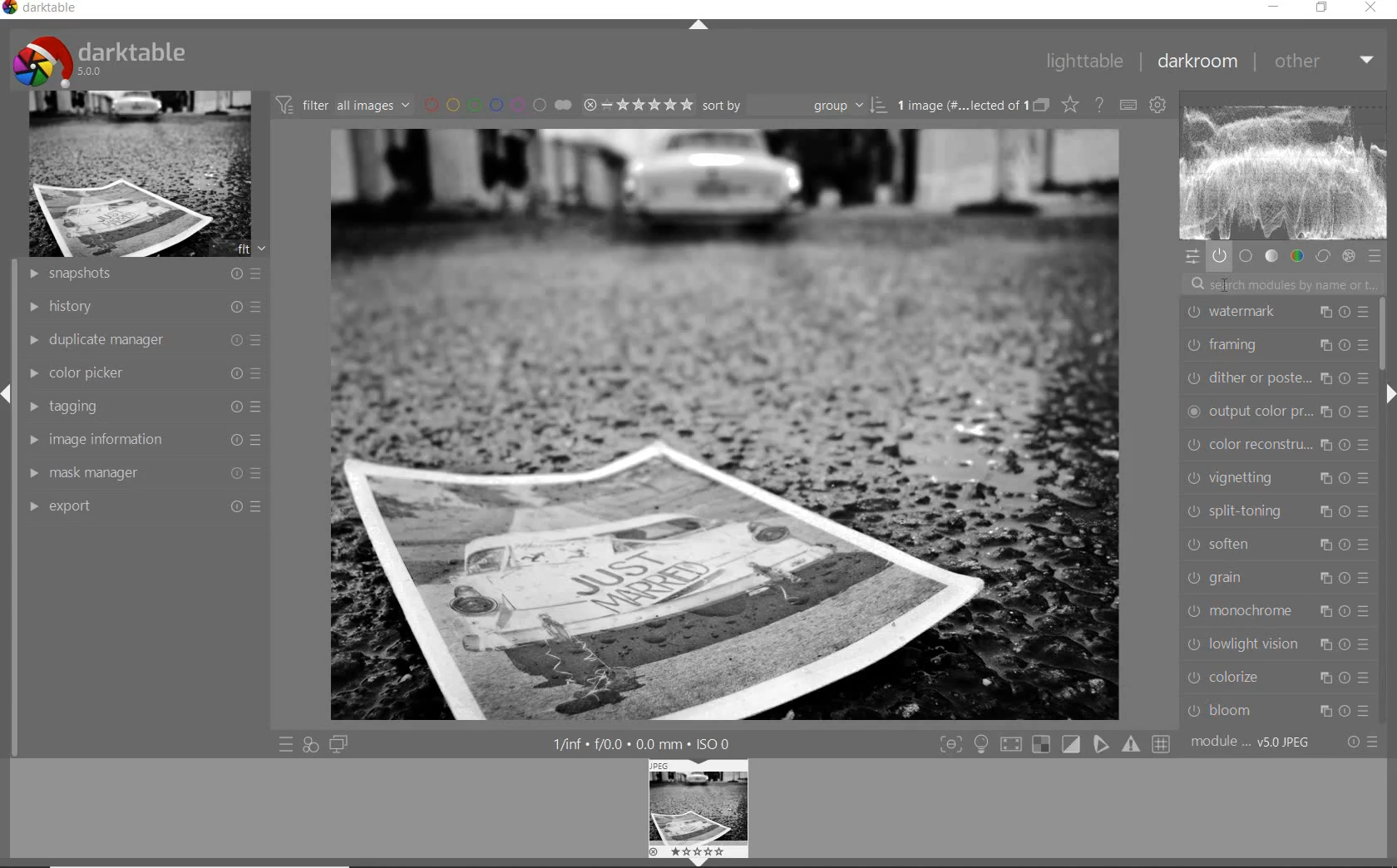 This screenshot has height=868, width=1397. What do you see at coordinates (1277, 710) in the screenshot?
I see `bloom` at bounding box center [1277, 710].